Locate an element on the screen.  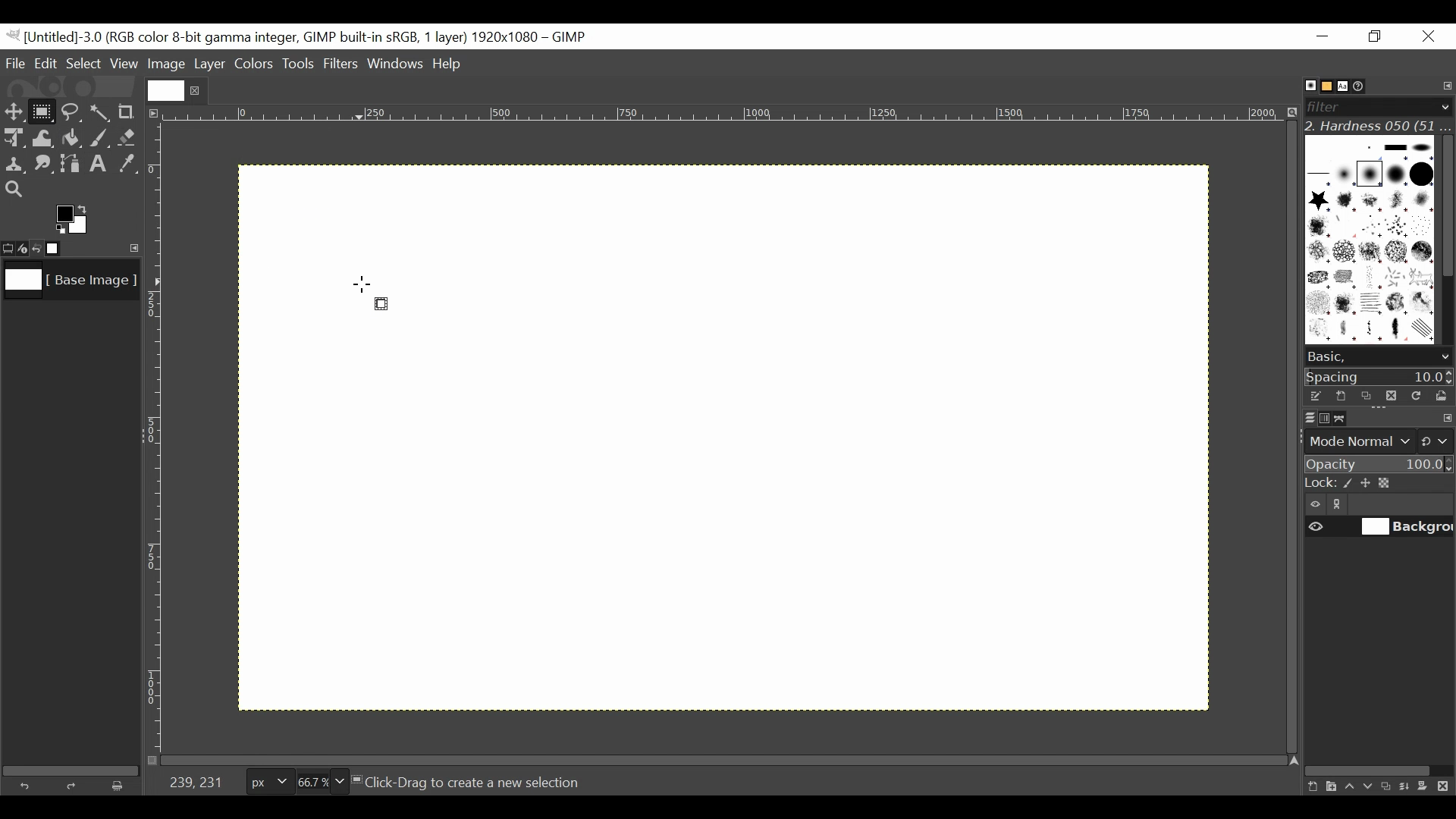
Edit is located at coordinates (47, 63).